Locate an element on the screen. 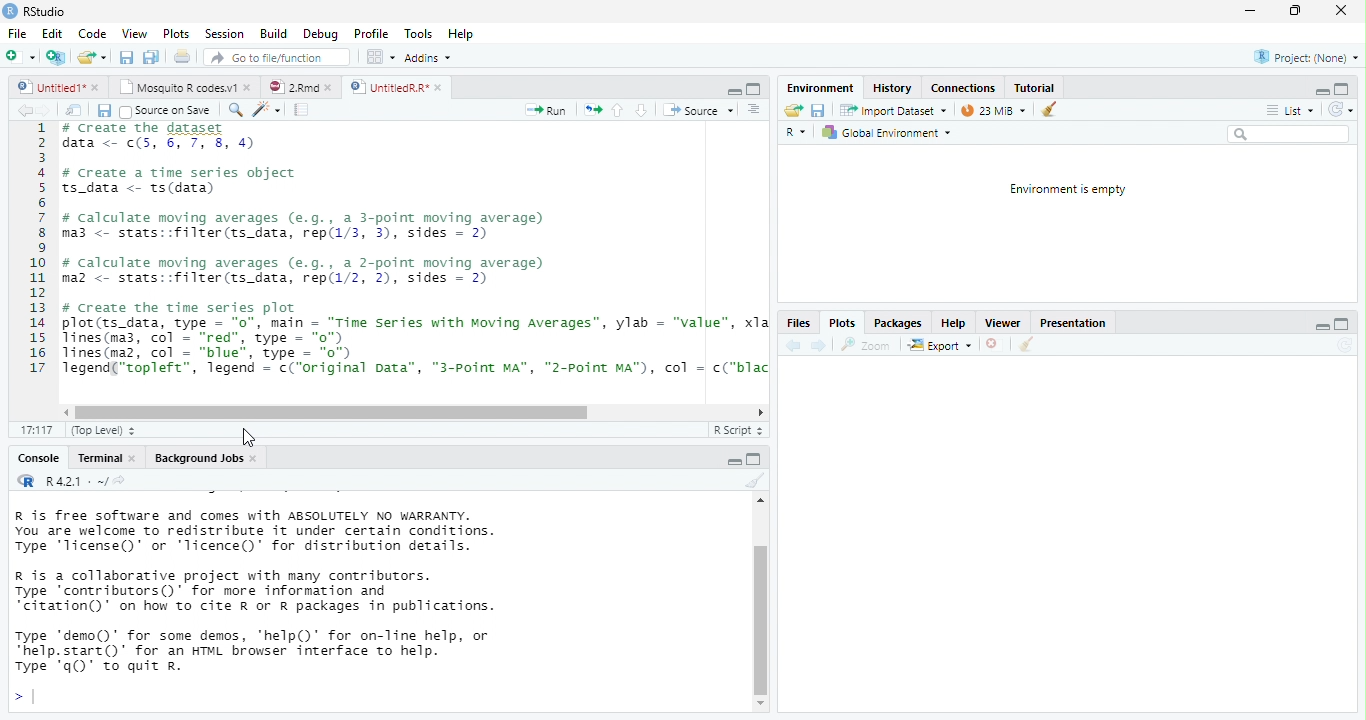  Terminal is located at coordinates (99, 458).